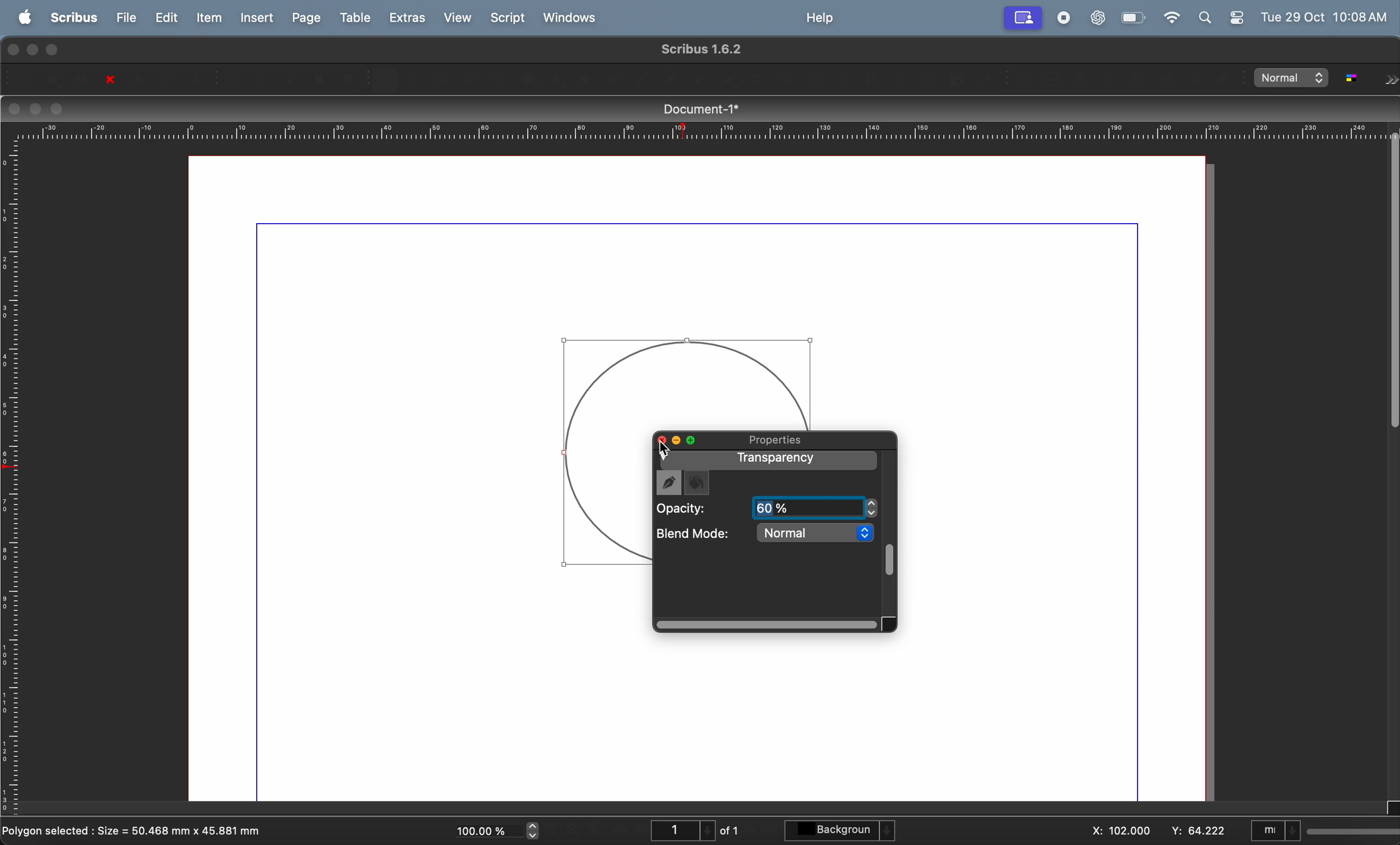 Image resolution: width=1400 pixels, height=845 pixels. What do you see at coordinates (676, 440) in the screenshot?
I see `minimize` at bounding box center [676, 440].